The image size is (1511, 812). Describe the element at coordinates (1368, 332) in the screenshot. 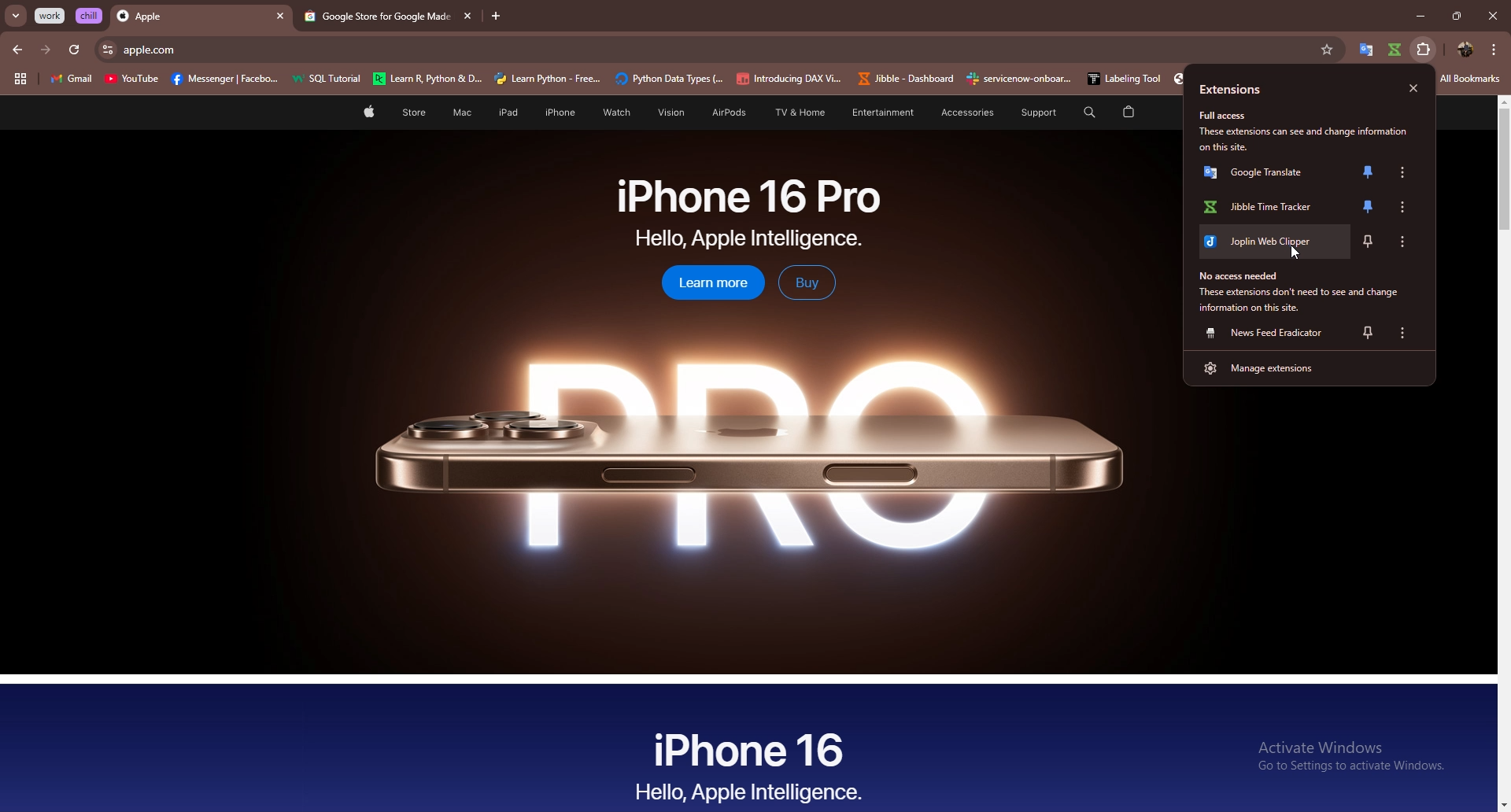

I see `pin` at that location.